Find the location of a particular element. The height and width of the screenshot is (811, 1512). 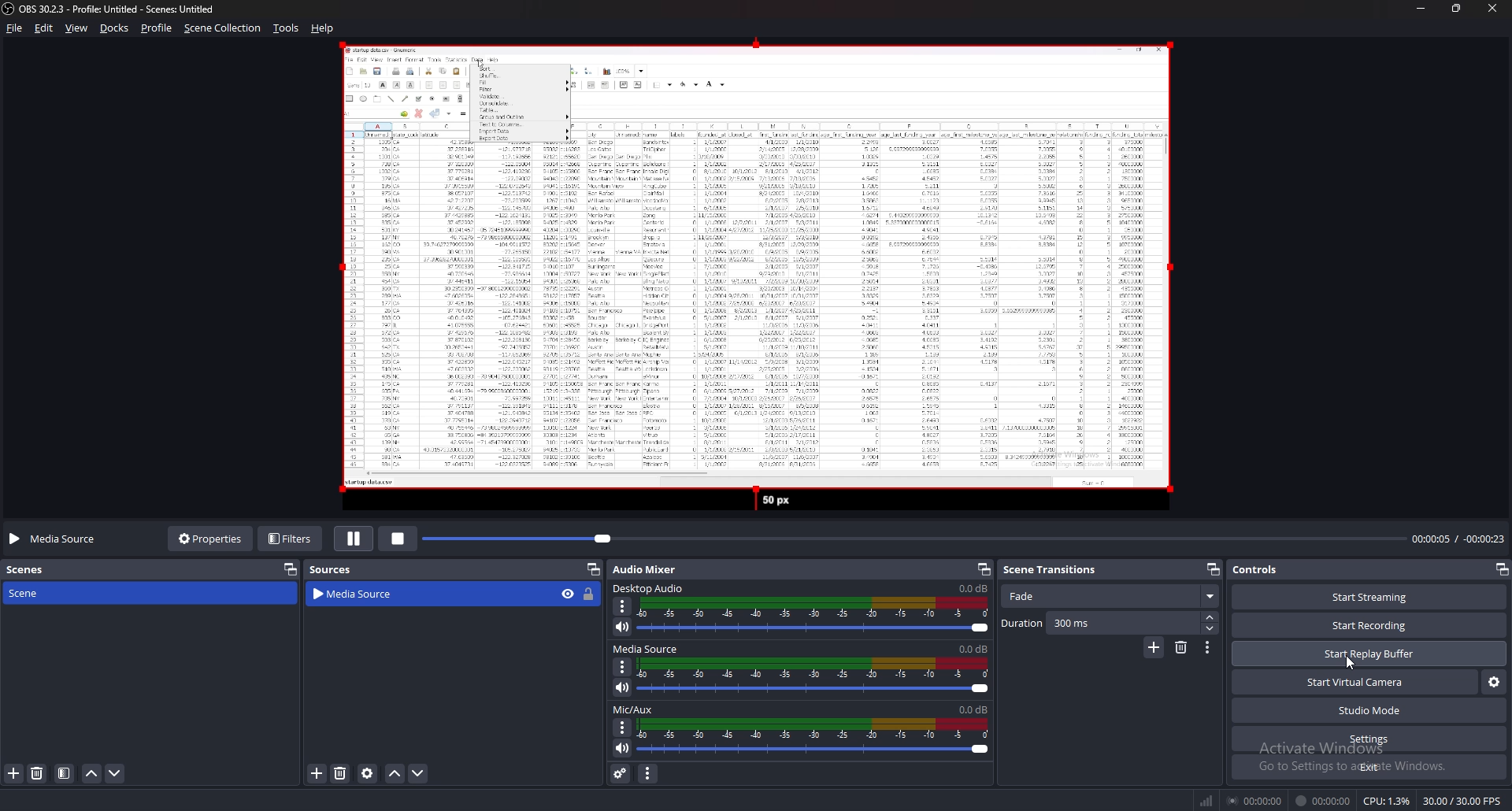

audio mixer menu is located at coordinates (647, 774).